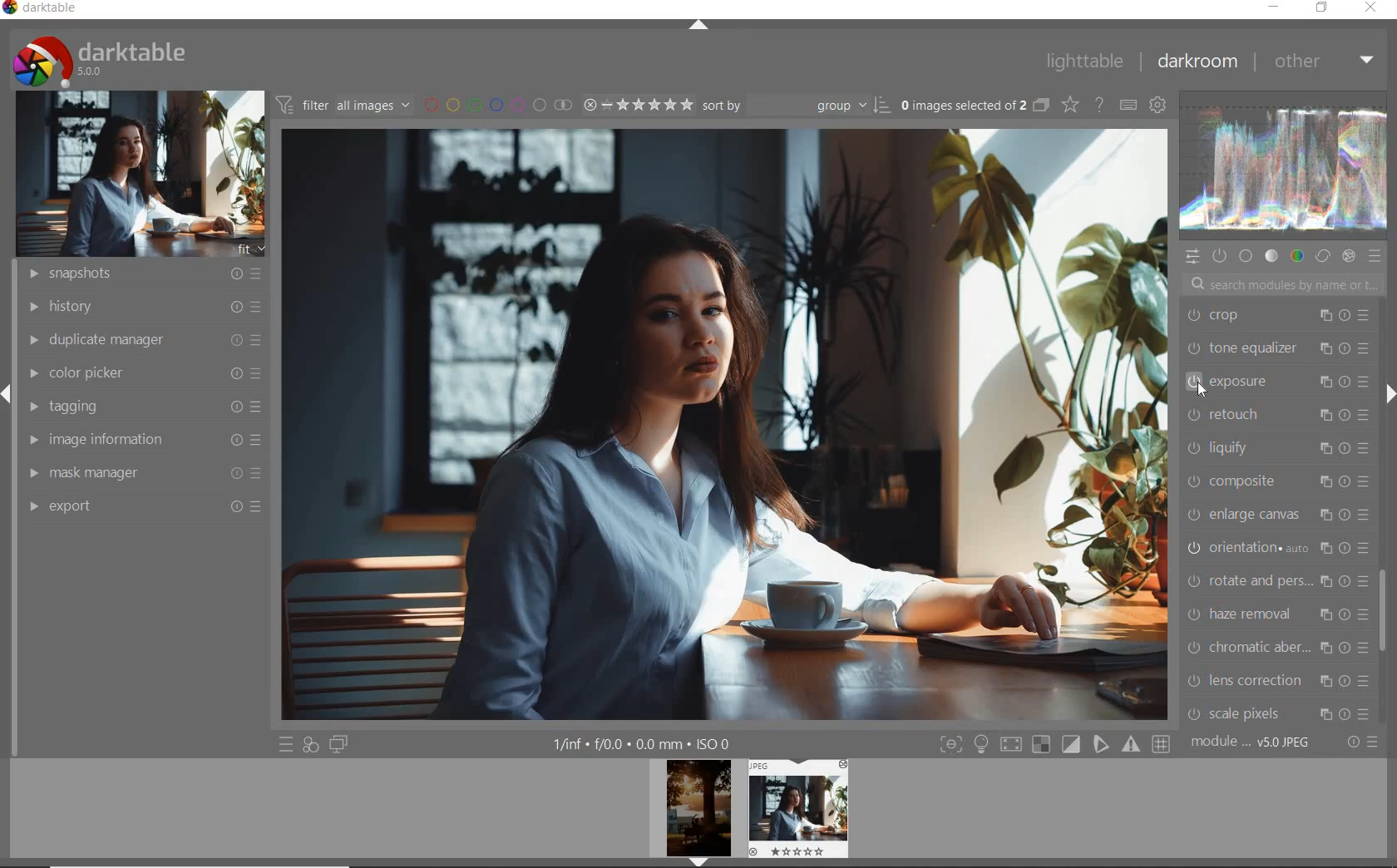  I want to click on SELECTED IMAGE, so click(728, 423).